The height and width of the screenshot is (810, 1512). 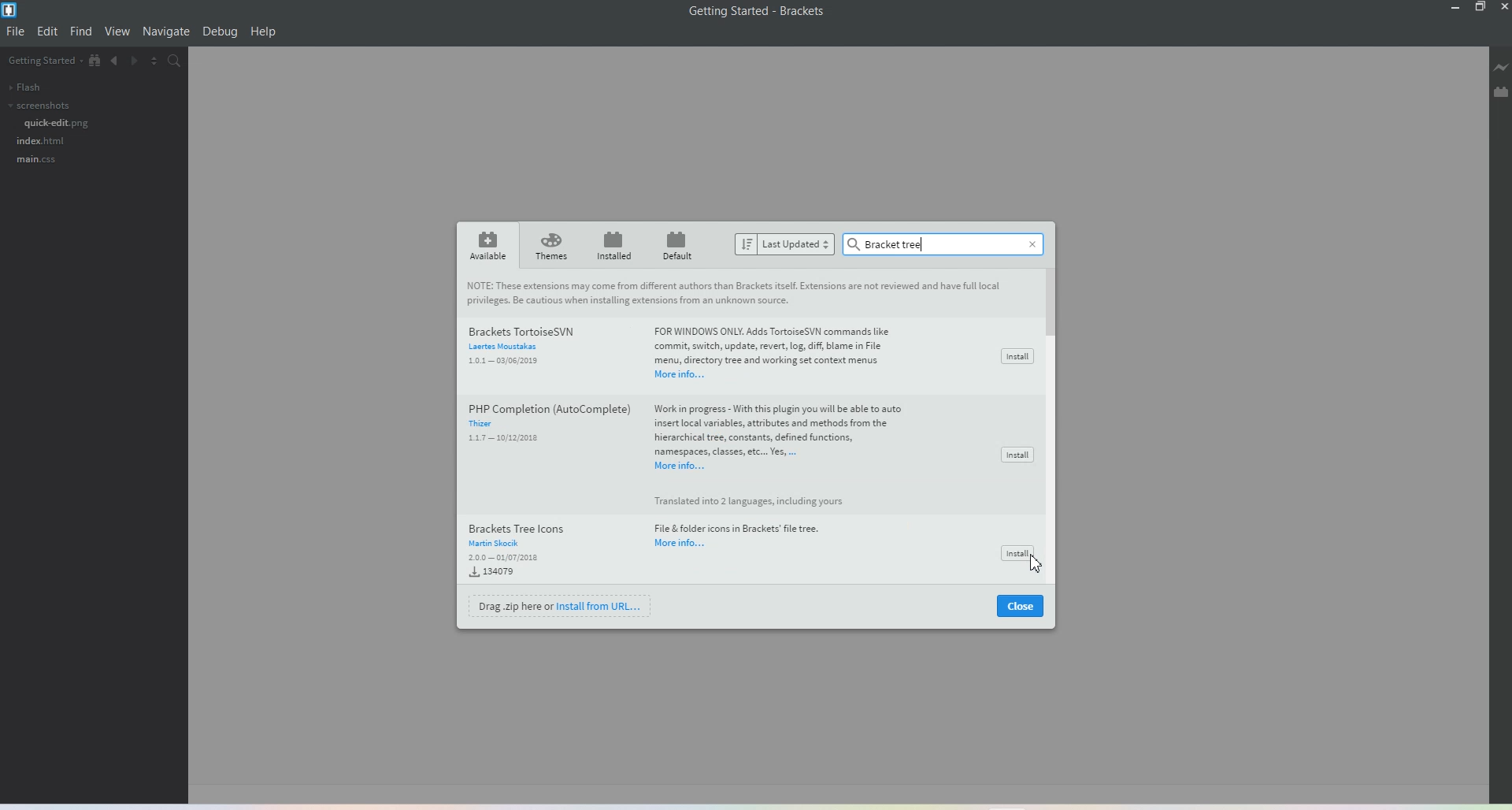 I want to click on Getting Started, so click(x=43, y=61).